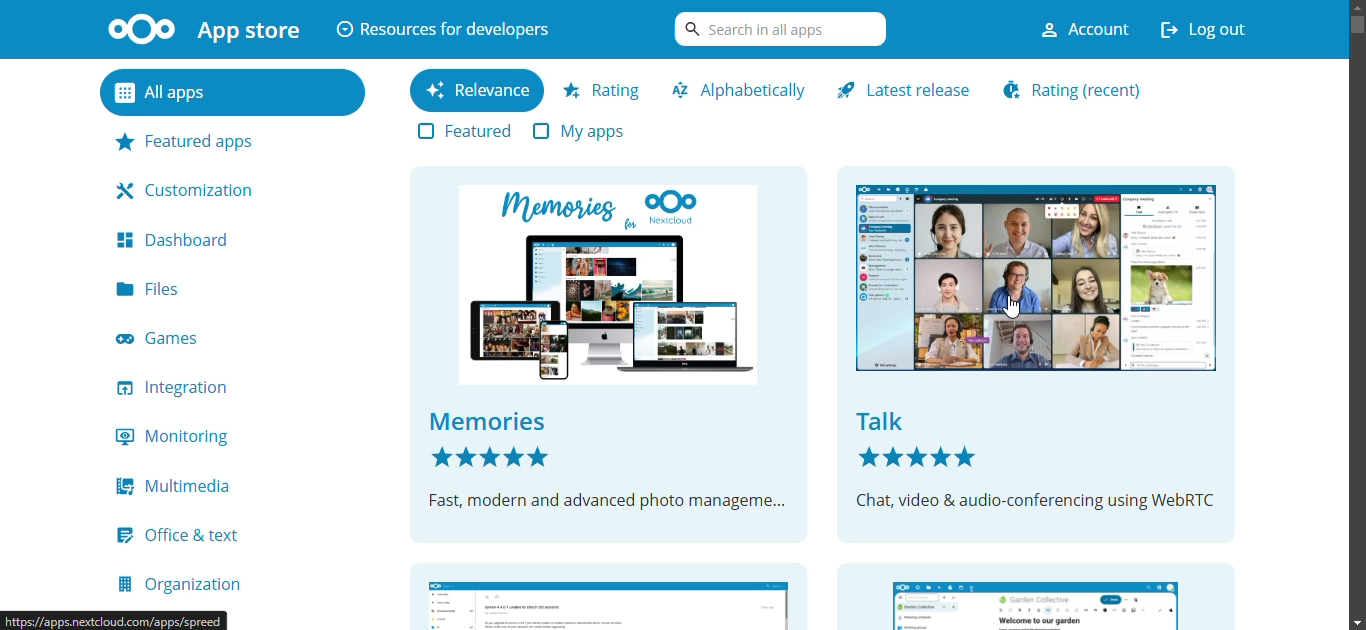 This screenshot has height=630, width=1366. What do you see at coordinates (175, 338) in the screenshot?
I see `games` at bounding box center [175, 338].